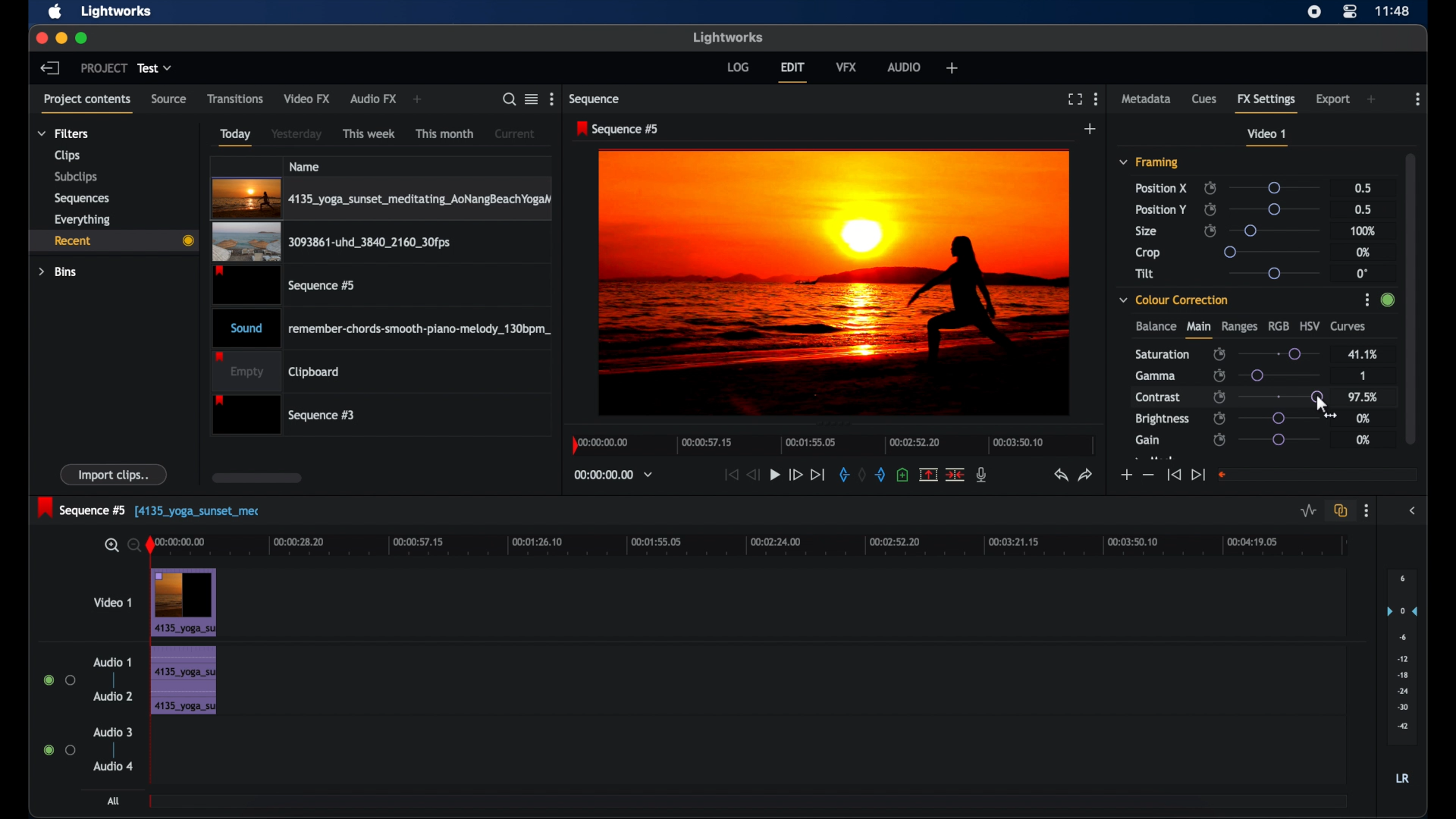  What do you see at coordinates (1315, 11) in the screenshot?
I see `screen recorder` at bounding box center [1315, 11].